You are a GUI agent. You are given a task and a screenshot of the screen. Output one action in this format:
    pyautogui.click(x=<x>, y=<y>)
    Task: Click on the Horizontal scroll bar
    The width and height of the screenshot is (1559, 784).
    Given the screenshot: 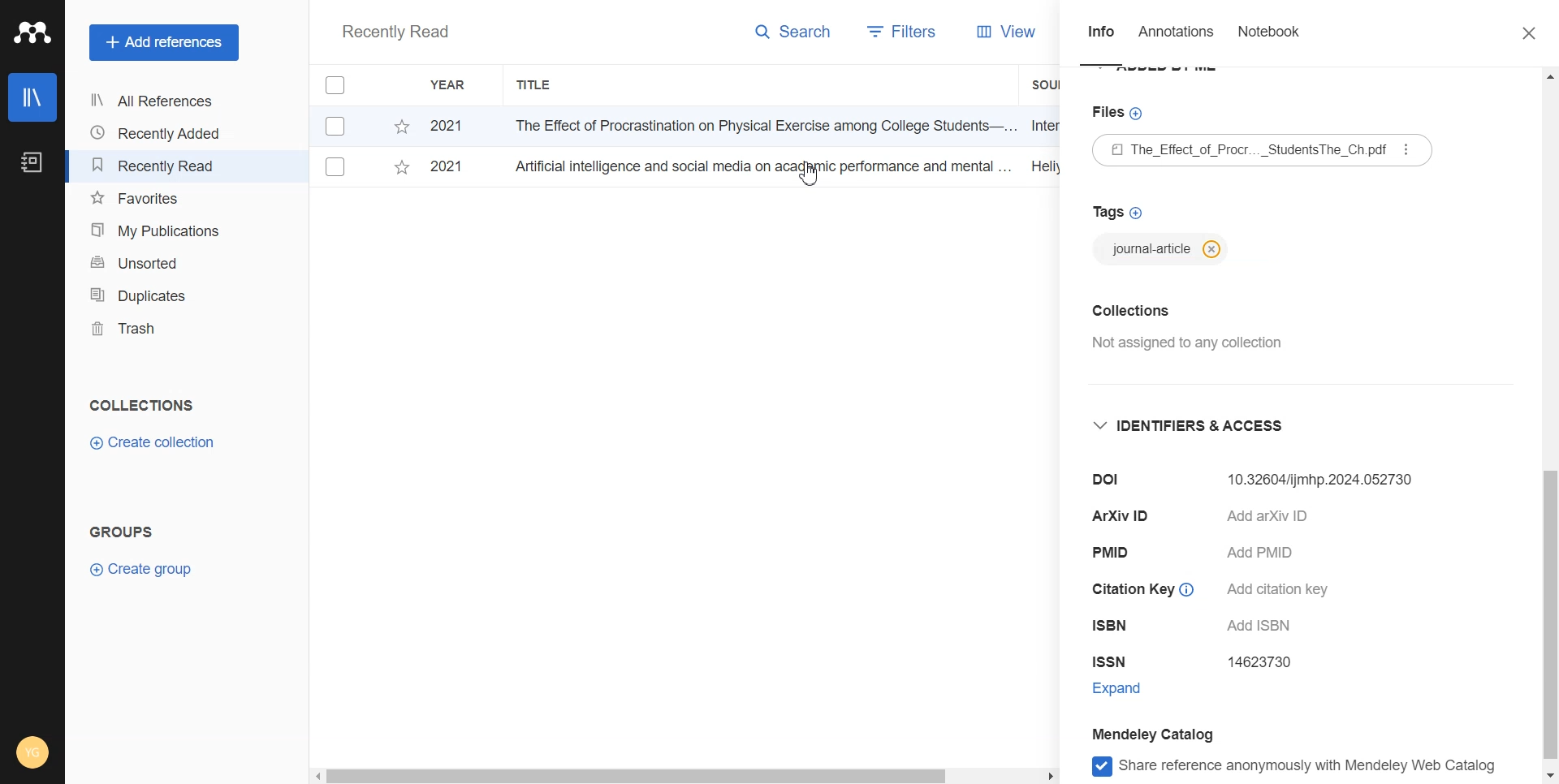 What is the action you would take?
    pyautogui.click(x=684, y=774)
    